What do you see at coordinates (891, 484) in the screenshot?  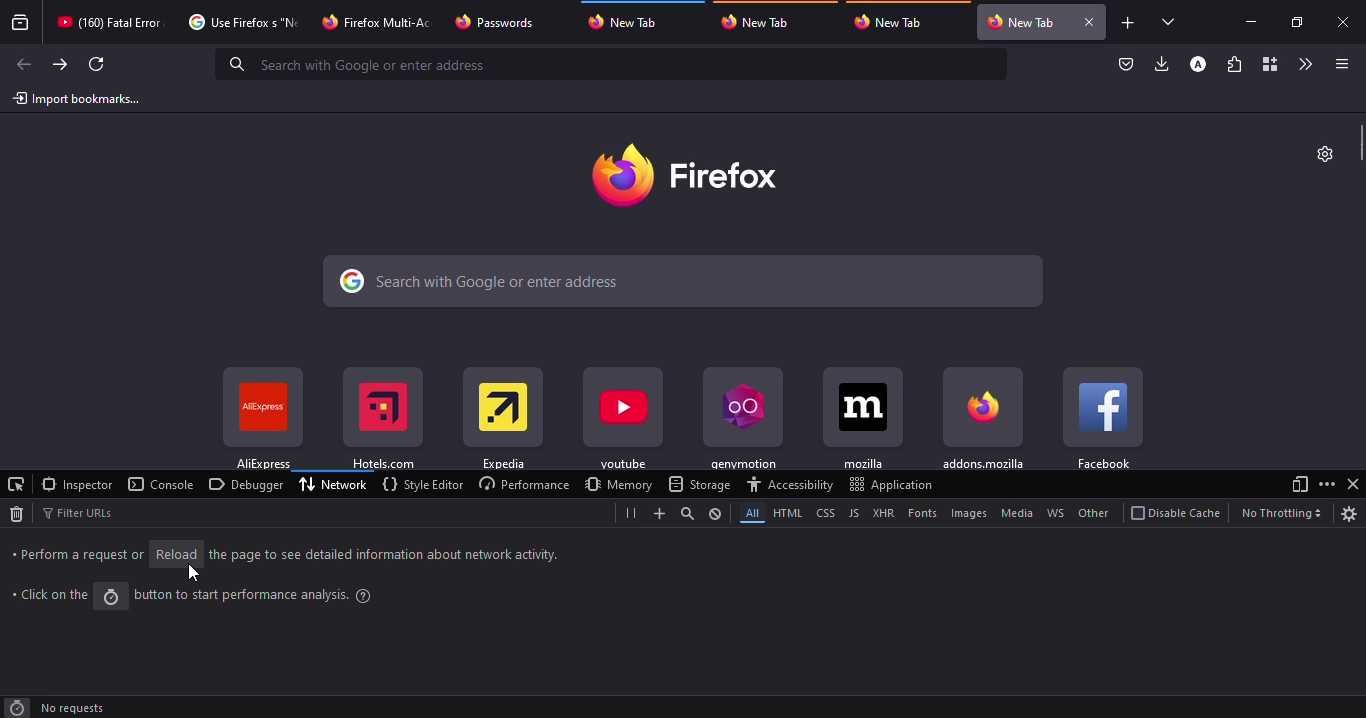 I see `application` at bounding box center [891, 484].